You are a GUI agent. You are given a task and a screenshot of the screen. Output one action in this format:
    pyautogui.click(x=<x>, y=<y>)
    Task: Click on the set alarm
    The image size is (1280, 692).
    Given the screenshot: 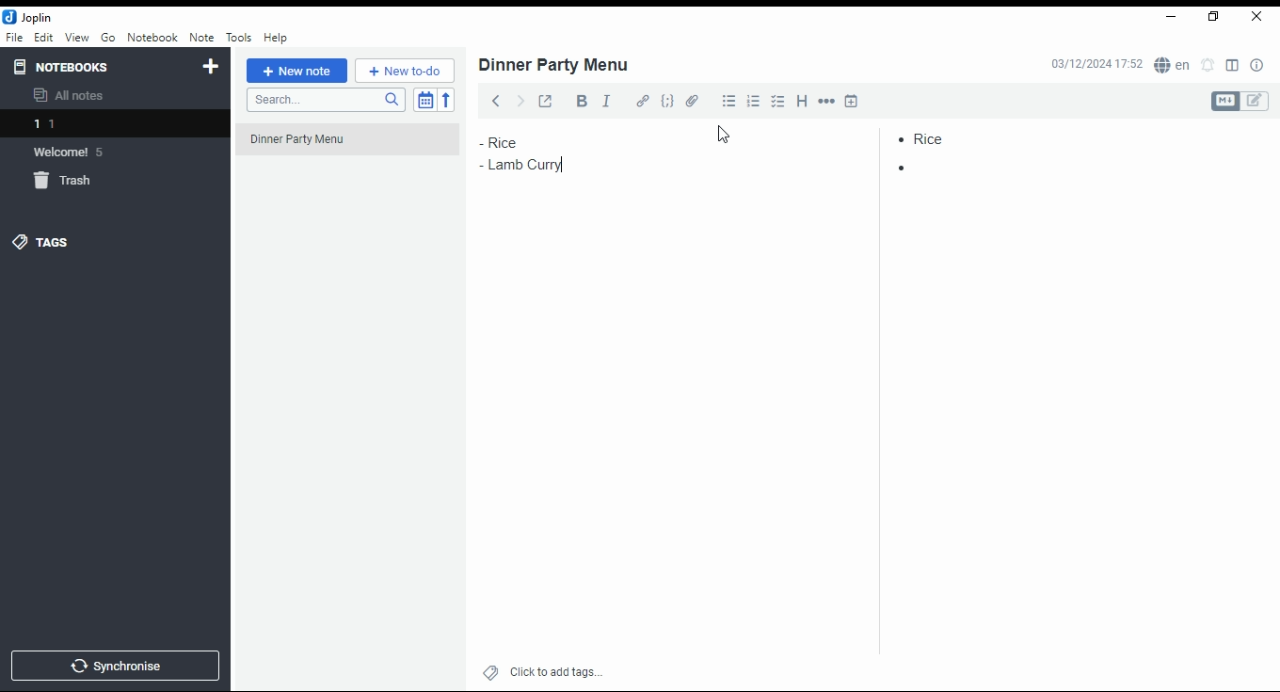 What is the action you would take?
    pyautogui.click(x=1208, y=65)
    